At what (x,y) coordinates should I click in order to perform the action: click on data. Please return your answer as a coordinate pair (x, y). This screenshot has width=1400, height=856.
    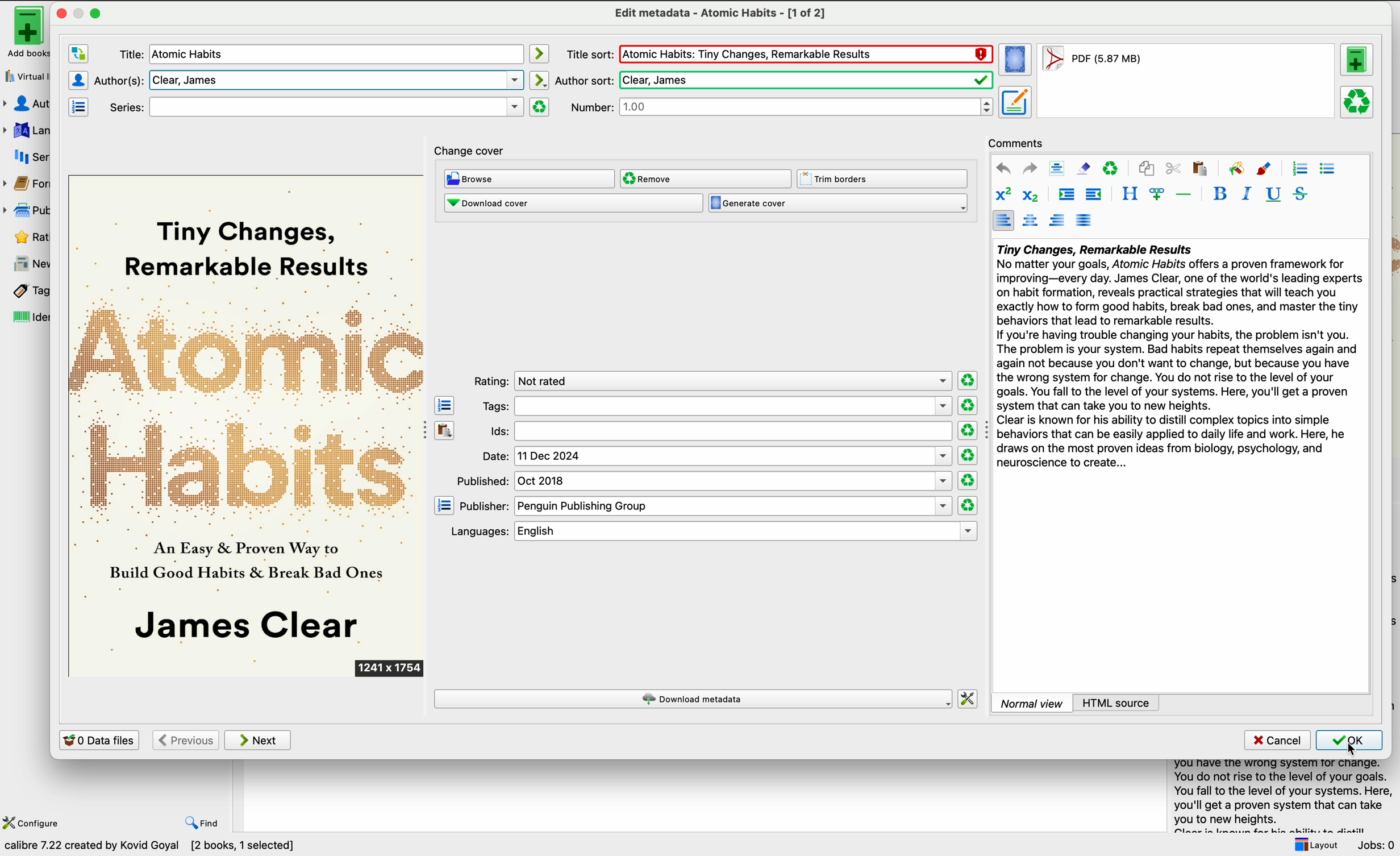
    Looking at the image, I should click on (154, 847).